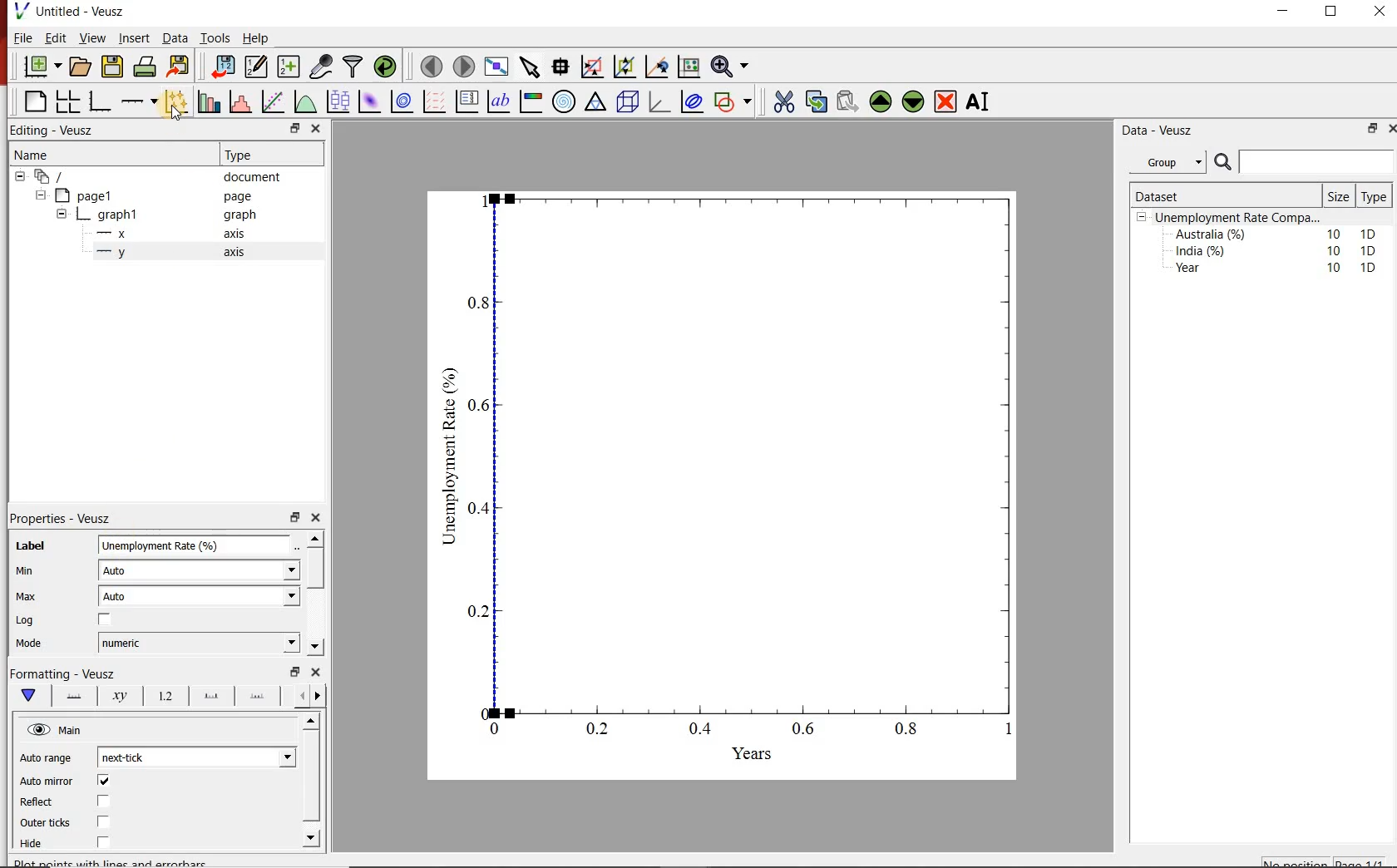  Describe the element at coordinates (317, 128) in the screenshot. I see `close` at that location.